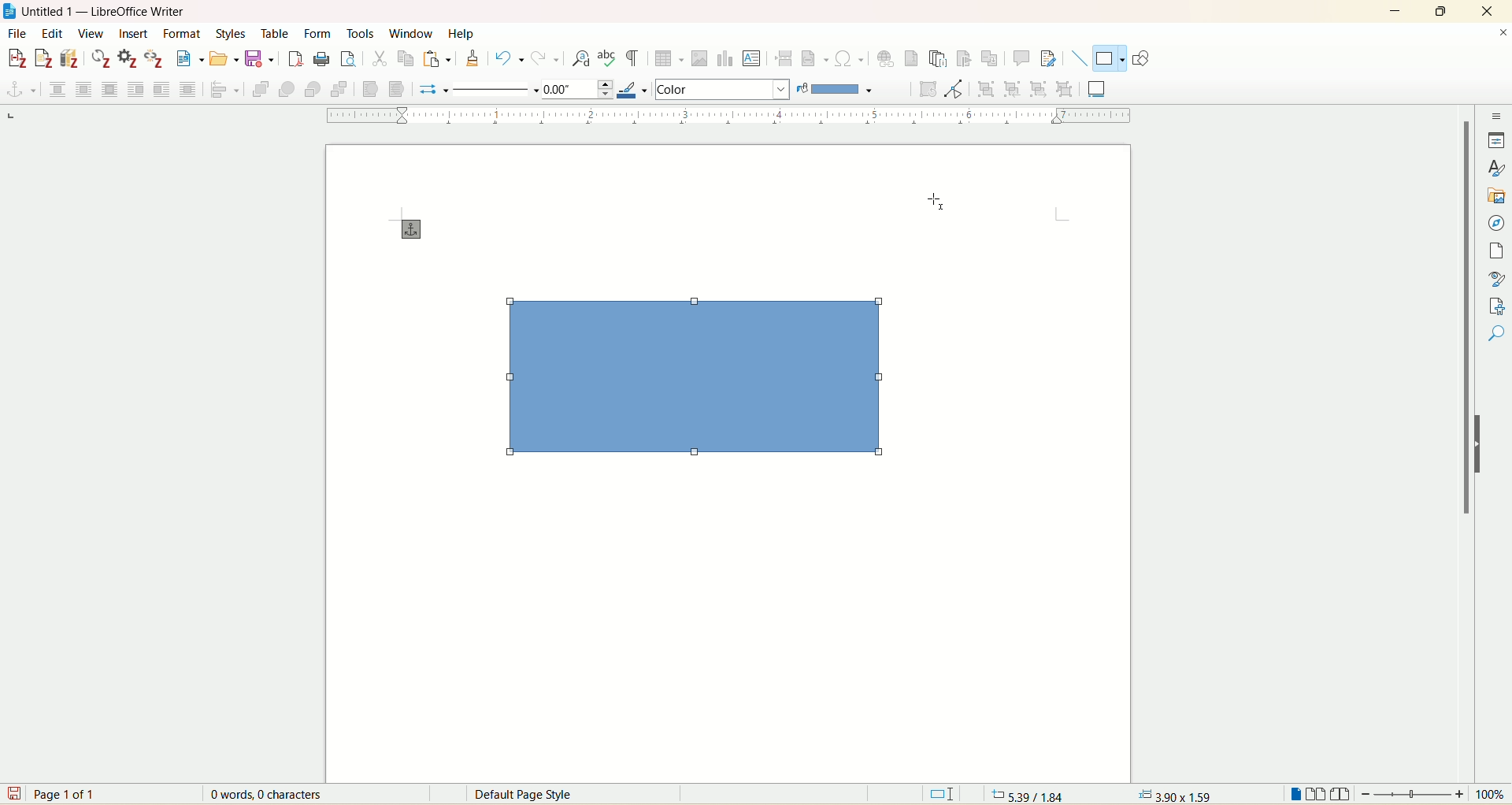 Image resolution: width=1512 pixels, height=805 pixels. I want to click on minimize, so click(1395, 9).